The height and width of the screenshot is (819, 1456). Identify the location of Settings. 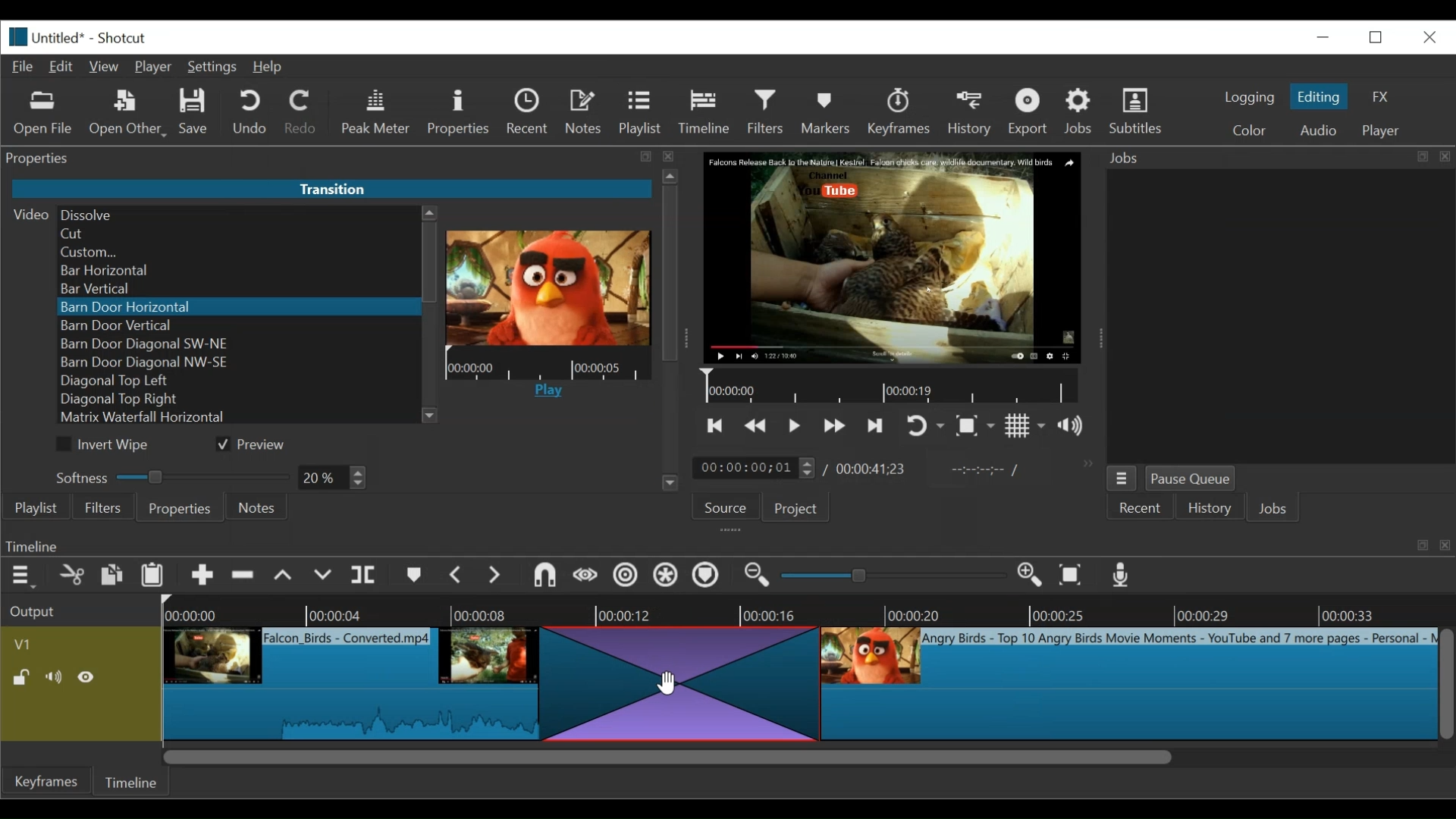
(212, 66).